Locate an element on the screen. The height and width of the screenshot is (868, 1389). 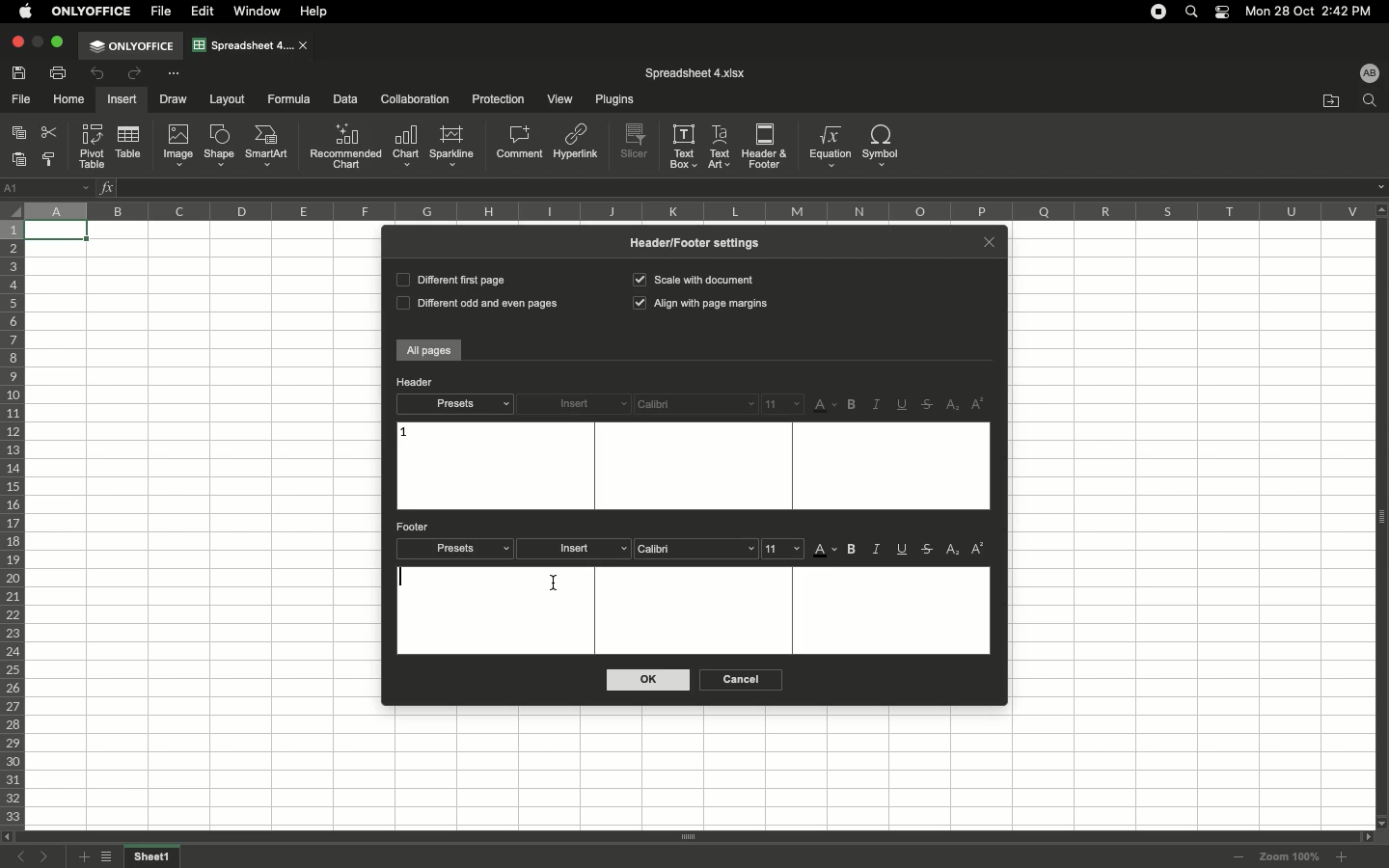
Find is located at coordinates (1369, 101).